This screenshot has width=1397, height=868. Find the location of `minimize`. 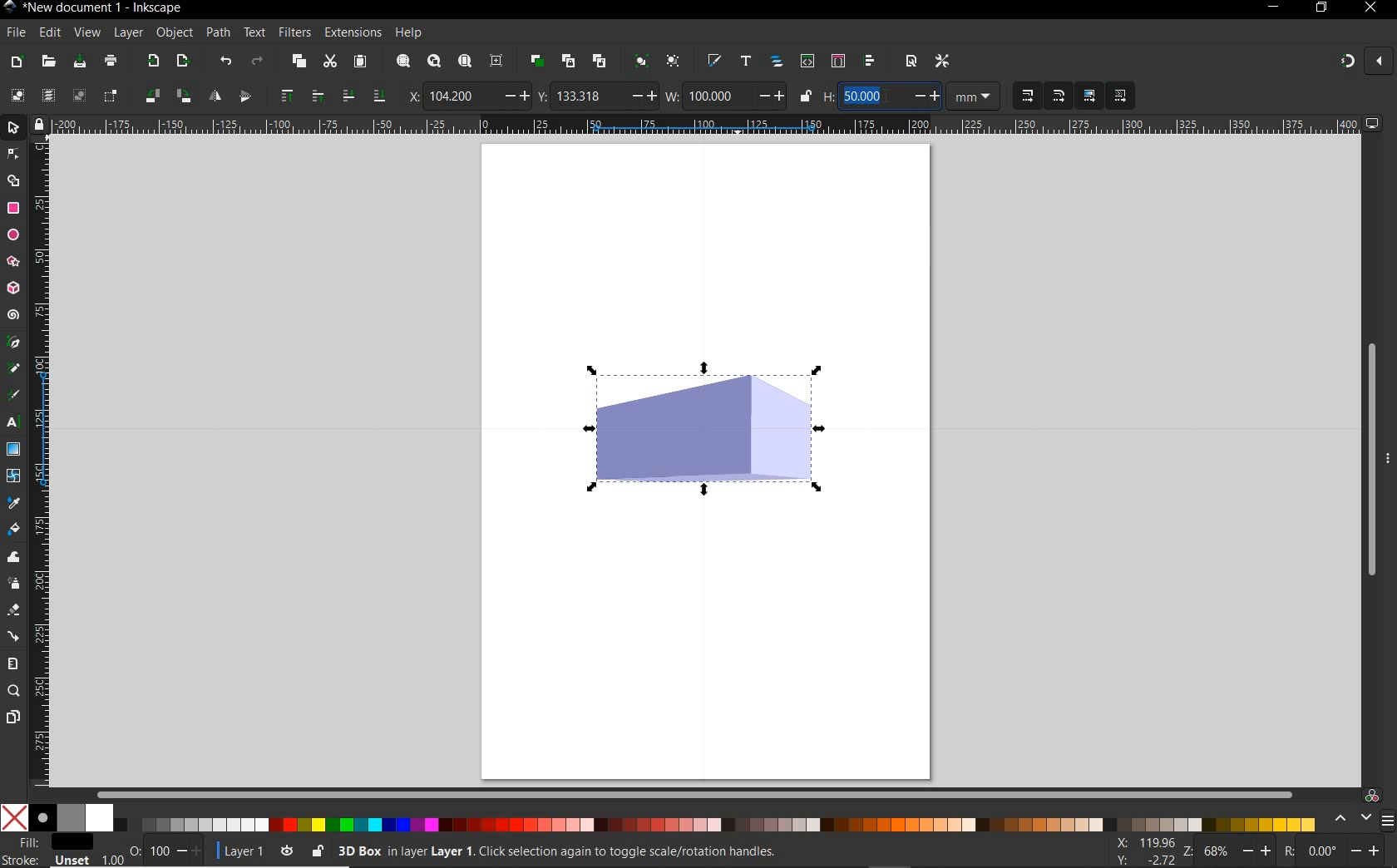

minimize is located at coordinates (1272, 8).